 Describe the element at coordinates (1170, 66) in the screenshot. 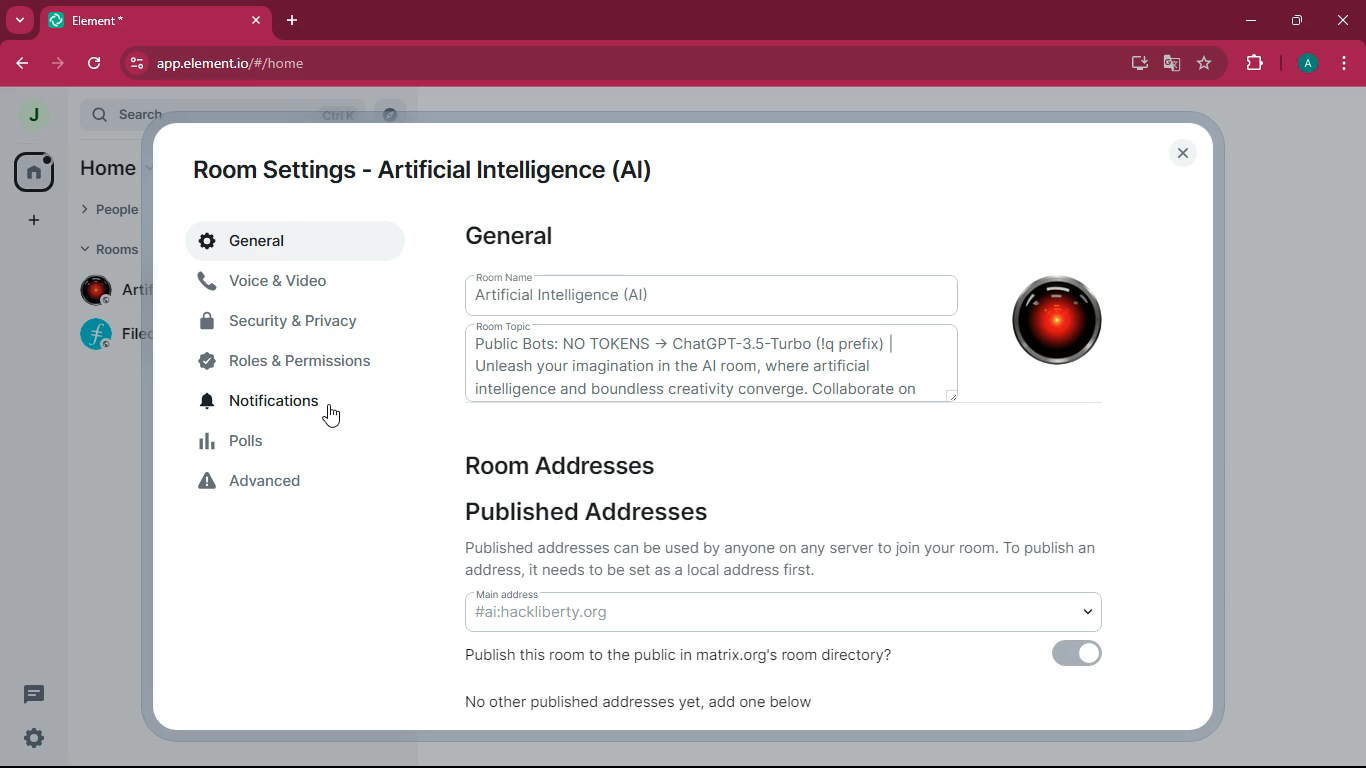

I see `google translate` at that location.